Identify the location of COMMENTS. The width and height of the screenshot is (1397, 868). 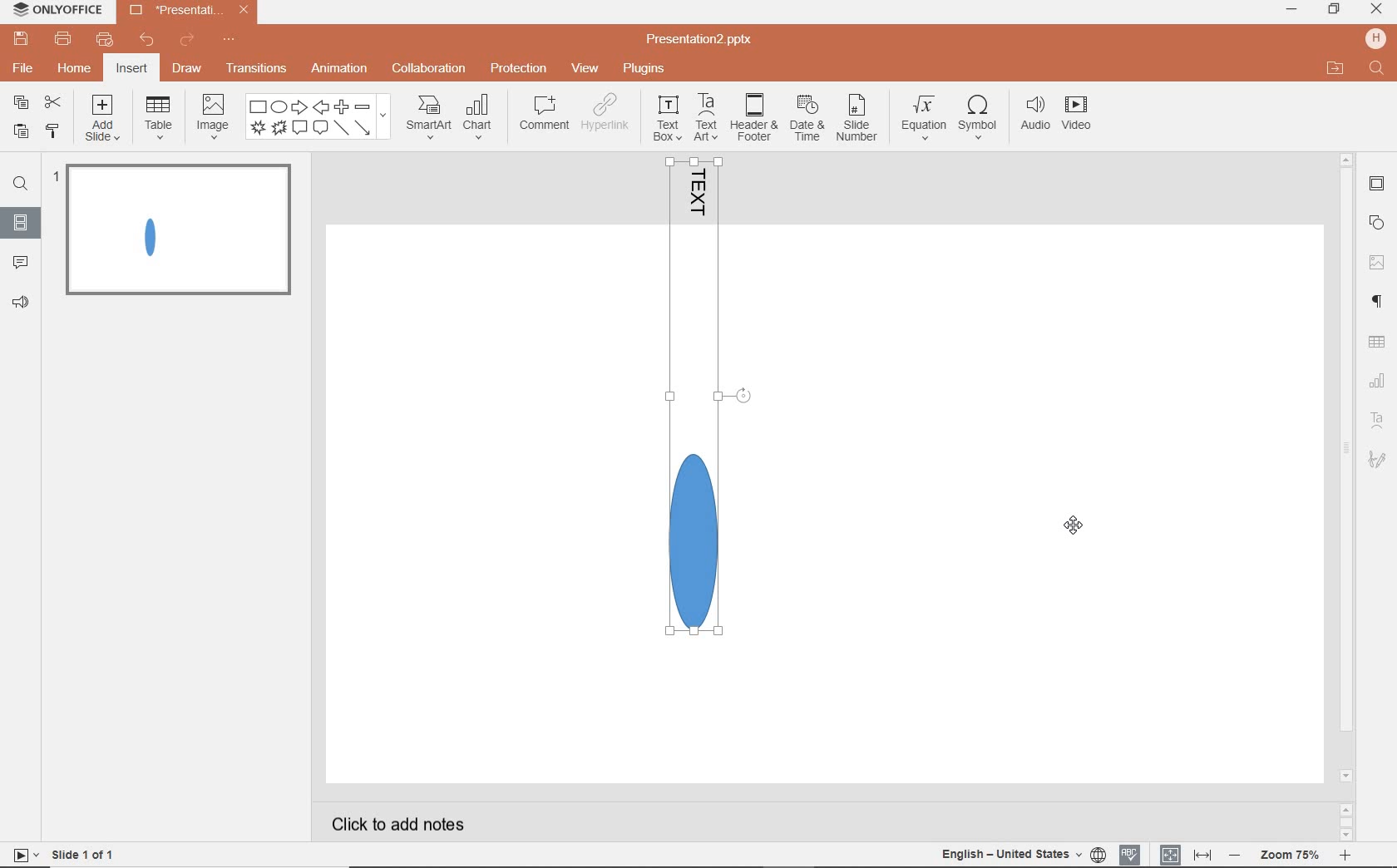
(19, 259).